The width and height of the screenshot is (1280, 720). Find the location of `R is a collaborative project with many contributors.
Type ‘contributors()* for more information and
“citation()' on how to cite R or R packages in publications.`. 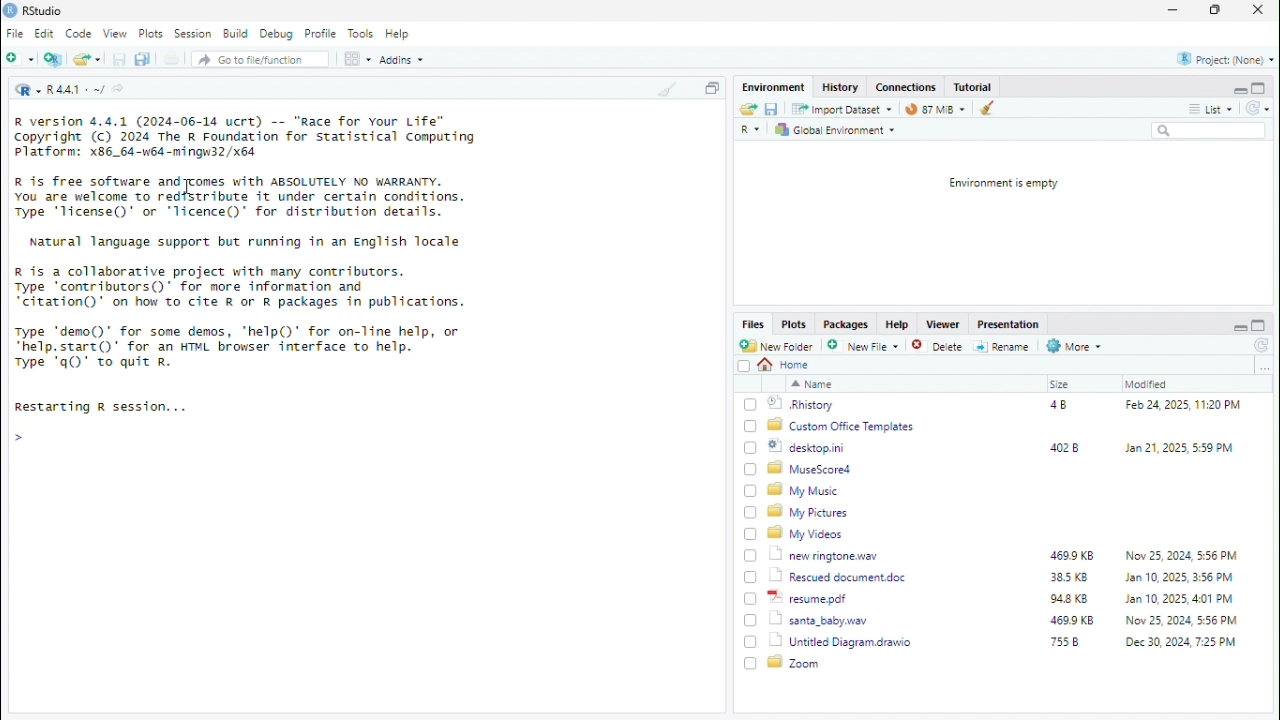

R is a collaborative project with many contributors.
Type ‘contributors()* for more information and
“citation()' on how to cite R or R packages in publications. is located at coordinates (240, 288).